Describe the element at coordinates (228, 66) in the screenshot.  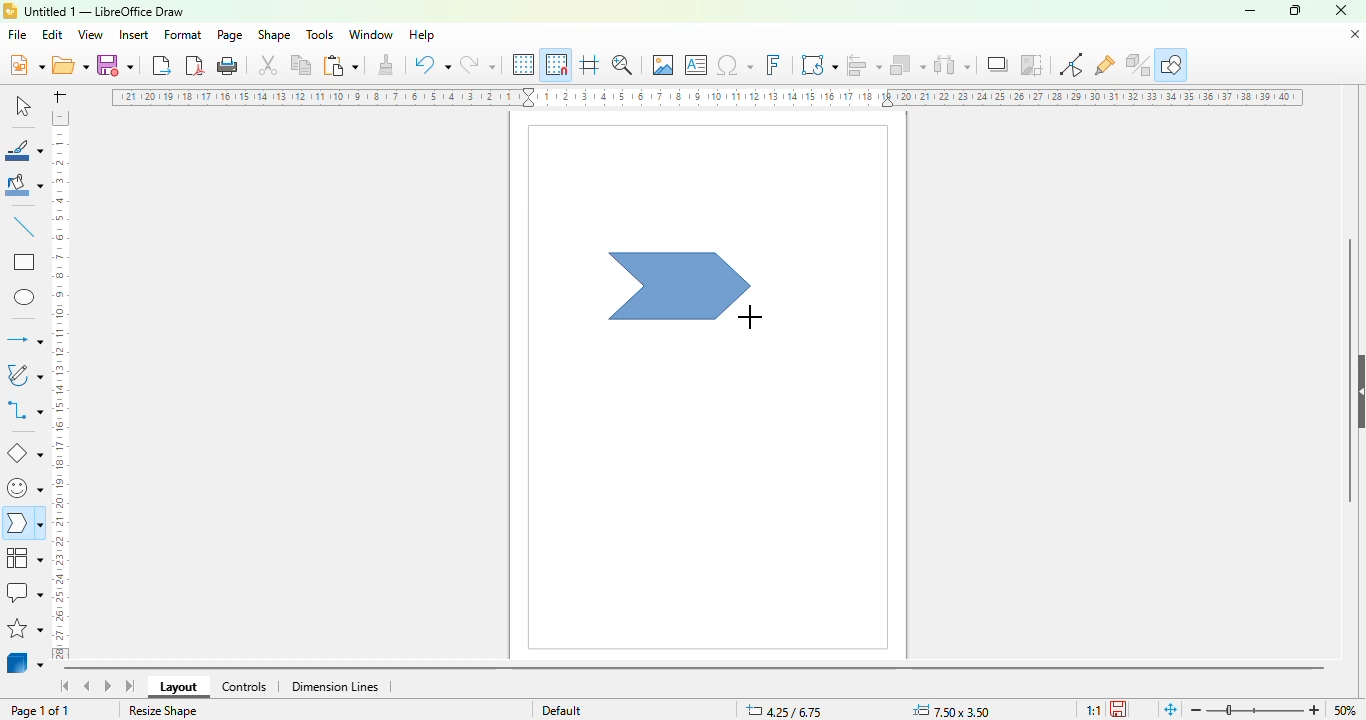
I see `print` at that location.